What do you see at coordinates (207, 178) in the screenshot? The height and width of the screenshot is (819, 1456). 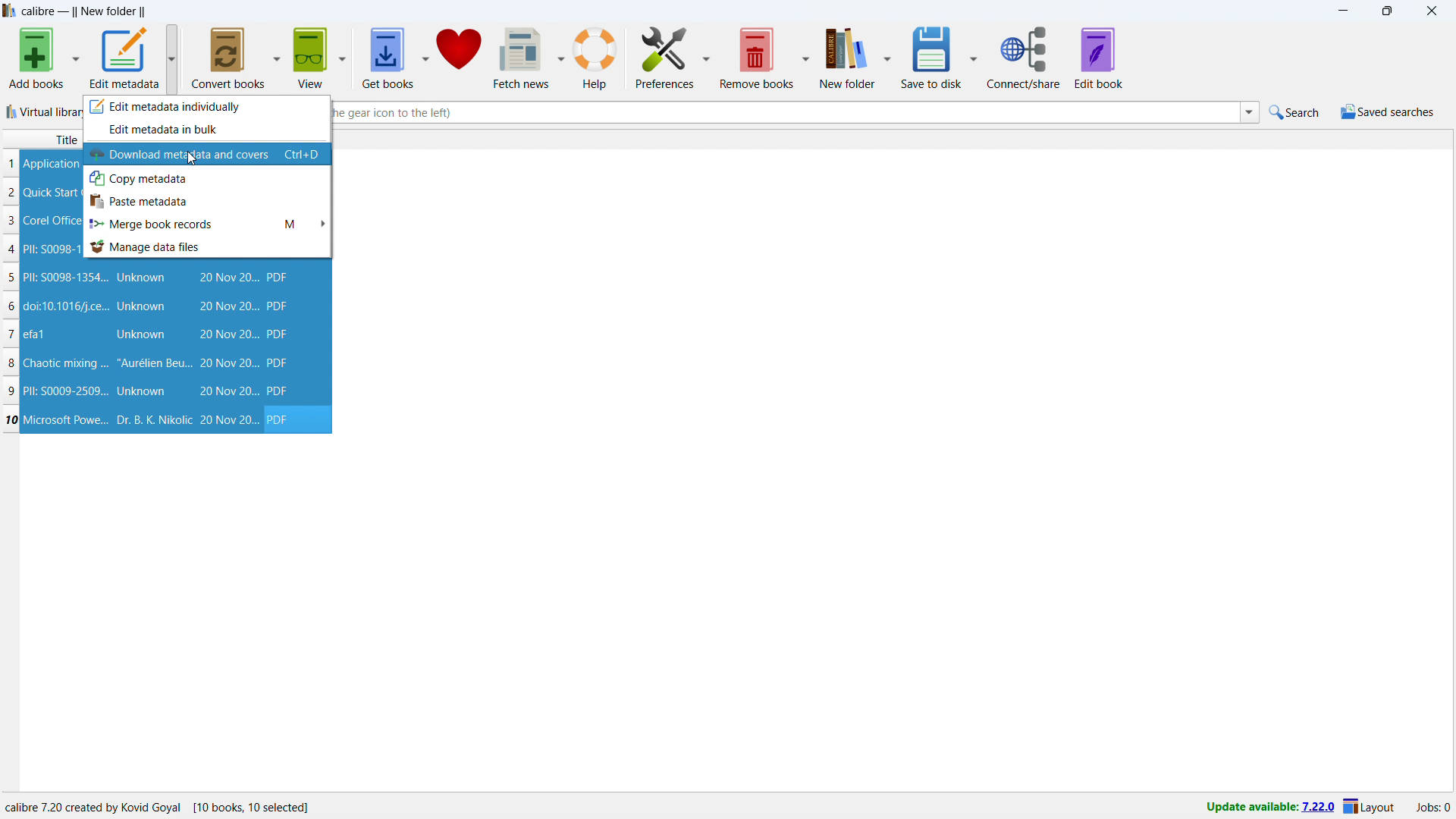 I see `copy metadata` at bounding box center [207, 178].